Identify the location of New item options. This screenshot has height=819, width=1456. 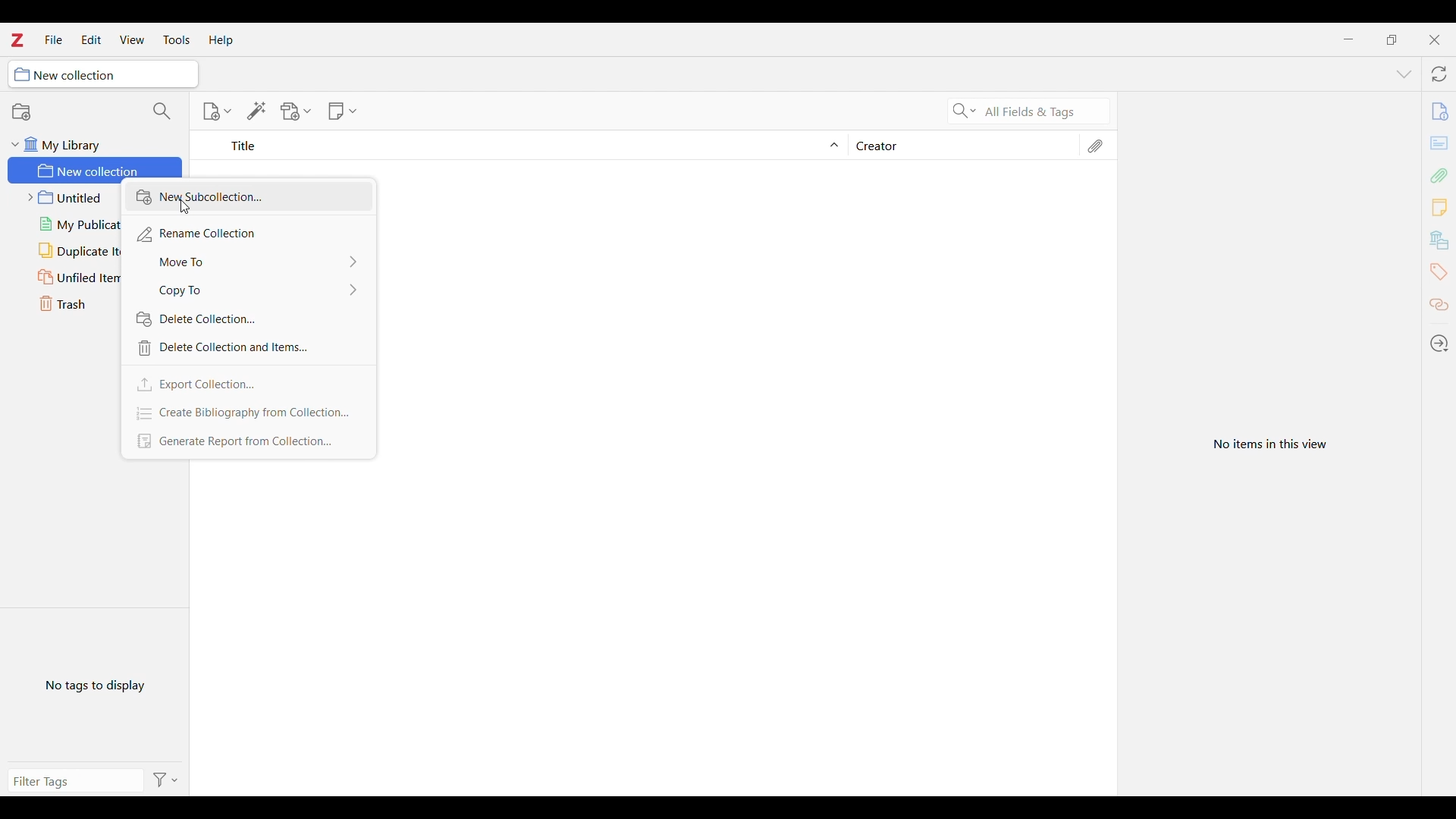
(216, 111).